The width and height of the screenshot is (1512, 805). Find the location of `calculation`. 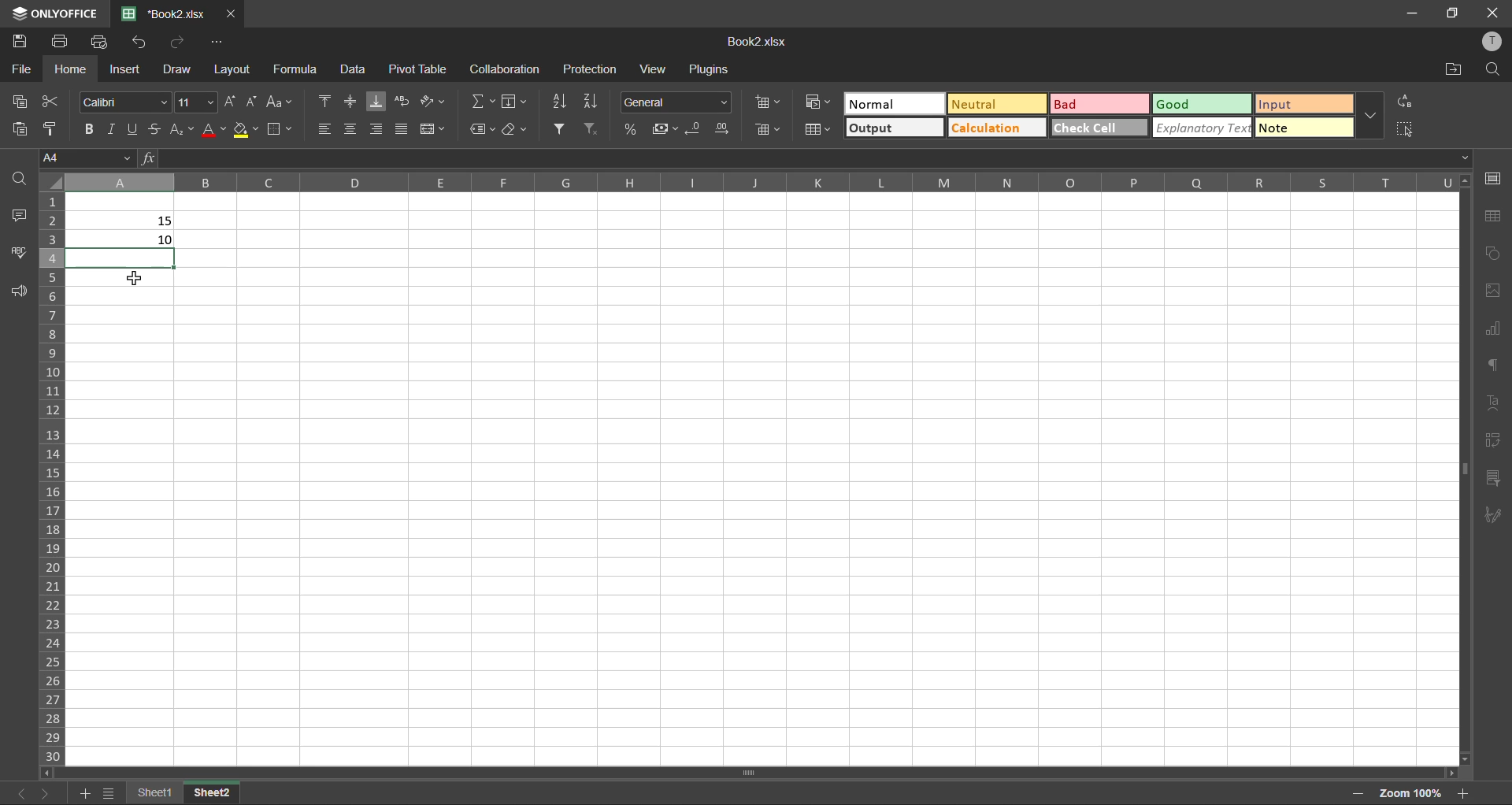

calculation is located at coordinates (995, 127).